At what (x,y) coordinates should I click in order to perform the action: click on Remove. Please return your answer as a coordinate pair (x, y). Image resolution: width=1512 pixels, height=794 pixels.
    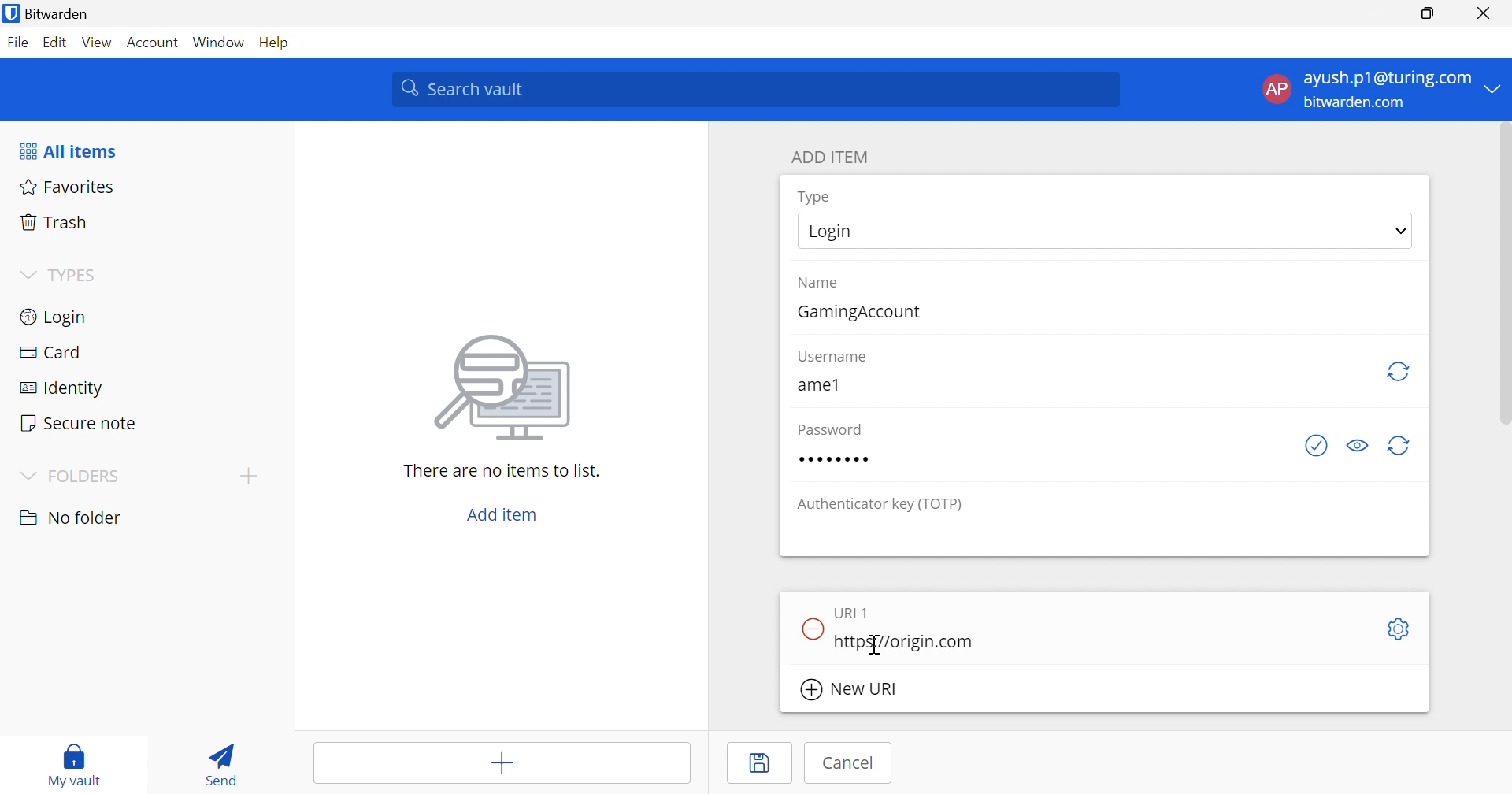
    Looking at the image, I should click on (810, 627).